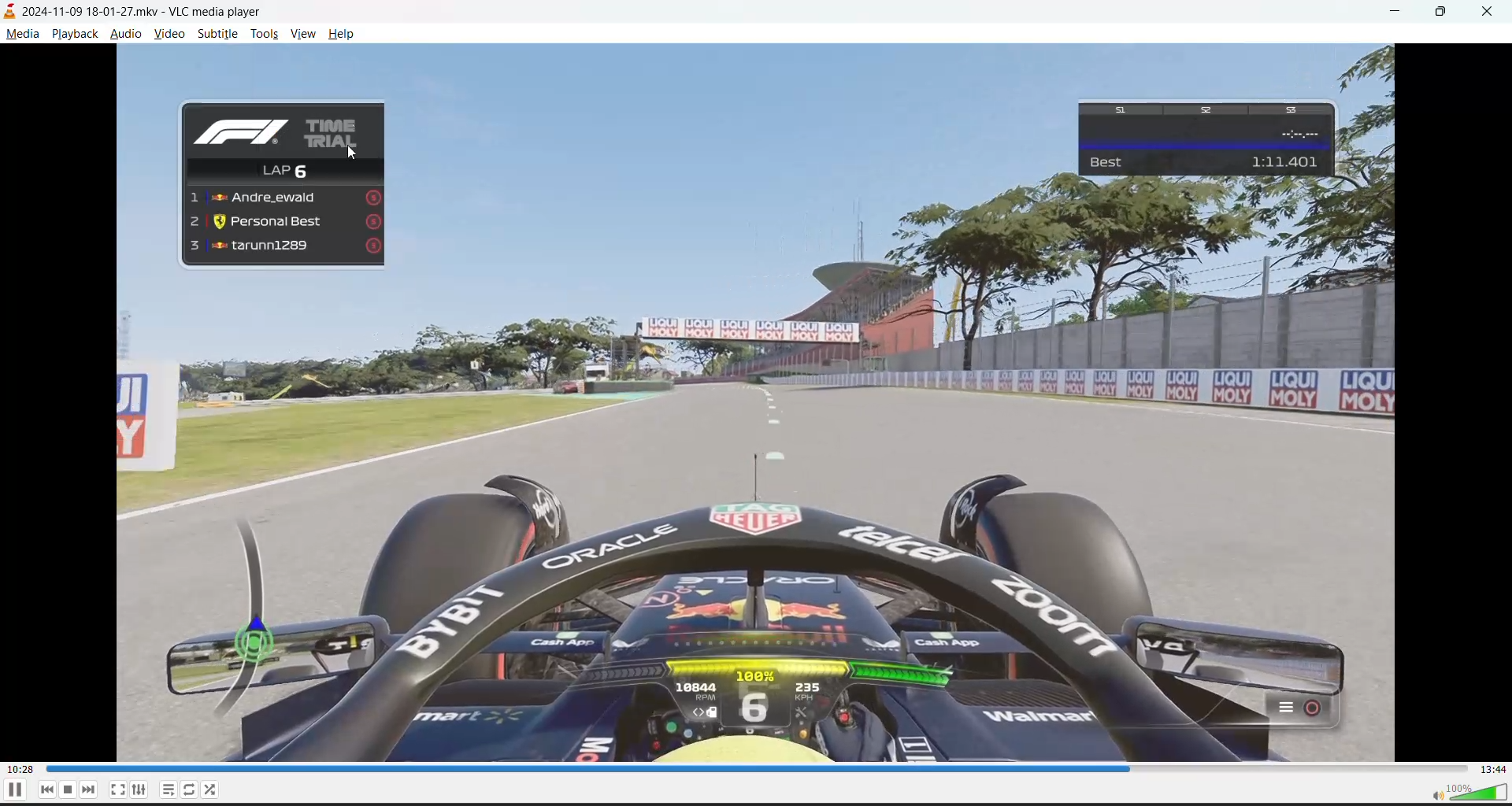 This screenshot has height=806, width=1512. Describe the element at coordinates (285, 250) in the screenshot. I see `tarunn1289` at that location.